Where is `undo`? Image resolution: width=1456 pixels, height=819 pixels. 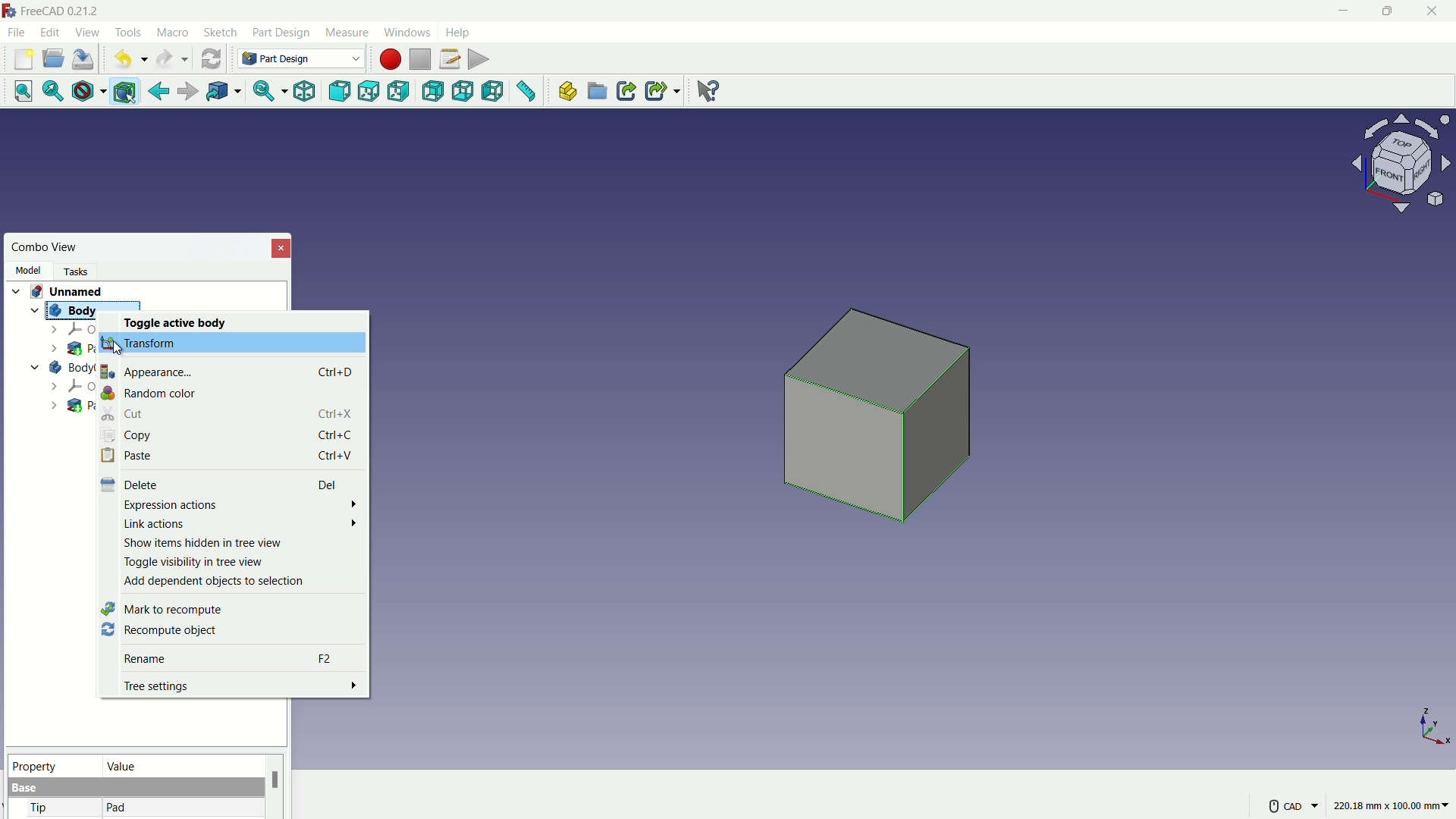
undo is located at coordinates (127, 60).